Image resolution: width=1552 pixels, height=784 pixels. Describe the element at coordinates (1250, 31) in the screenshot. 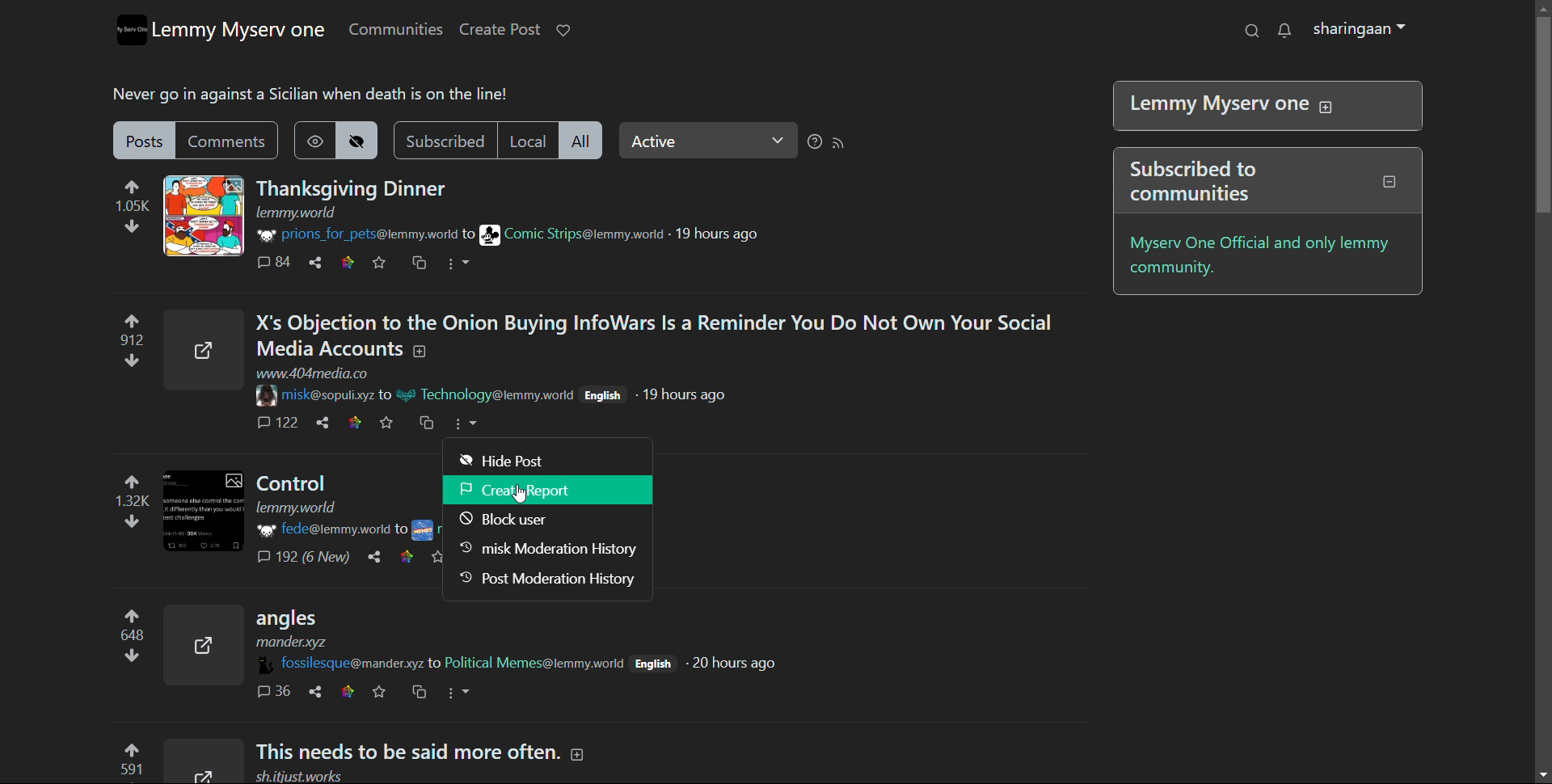

I see `search` at that location.